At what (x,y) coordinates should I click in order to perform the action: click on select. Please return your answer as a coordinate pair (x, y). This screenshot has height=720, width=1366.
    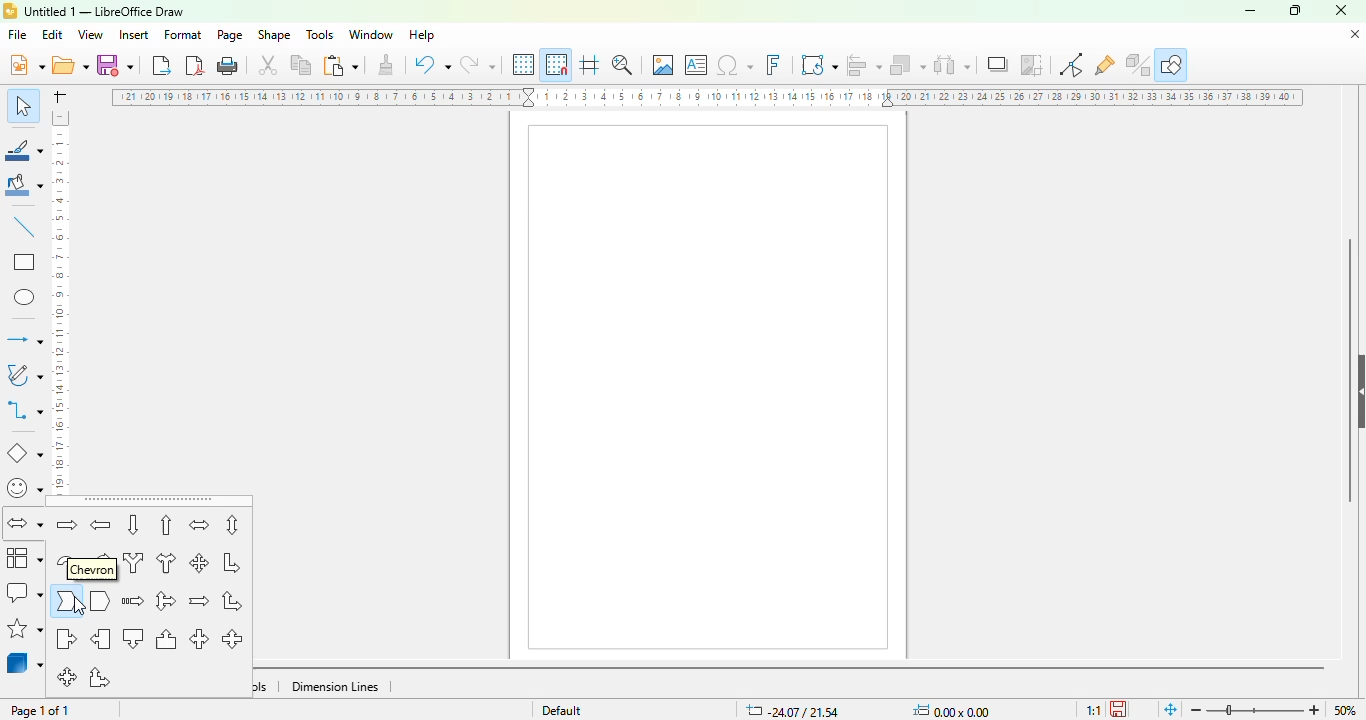
    Looking at the image, I should click on (22, 105).